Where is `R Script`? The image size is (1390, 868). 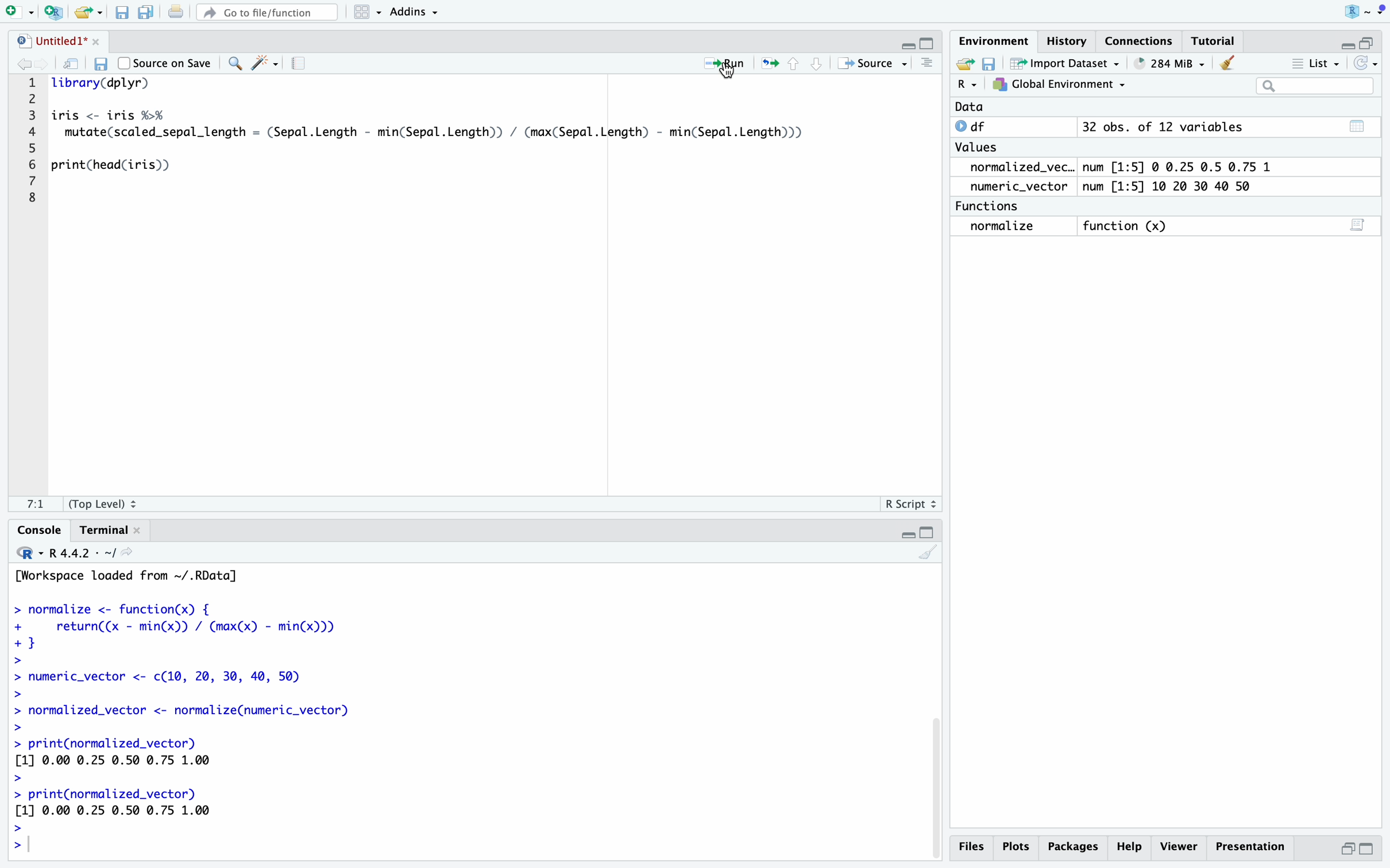 R Script is located at coordinates (910, 503).